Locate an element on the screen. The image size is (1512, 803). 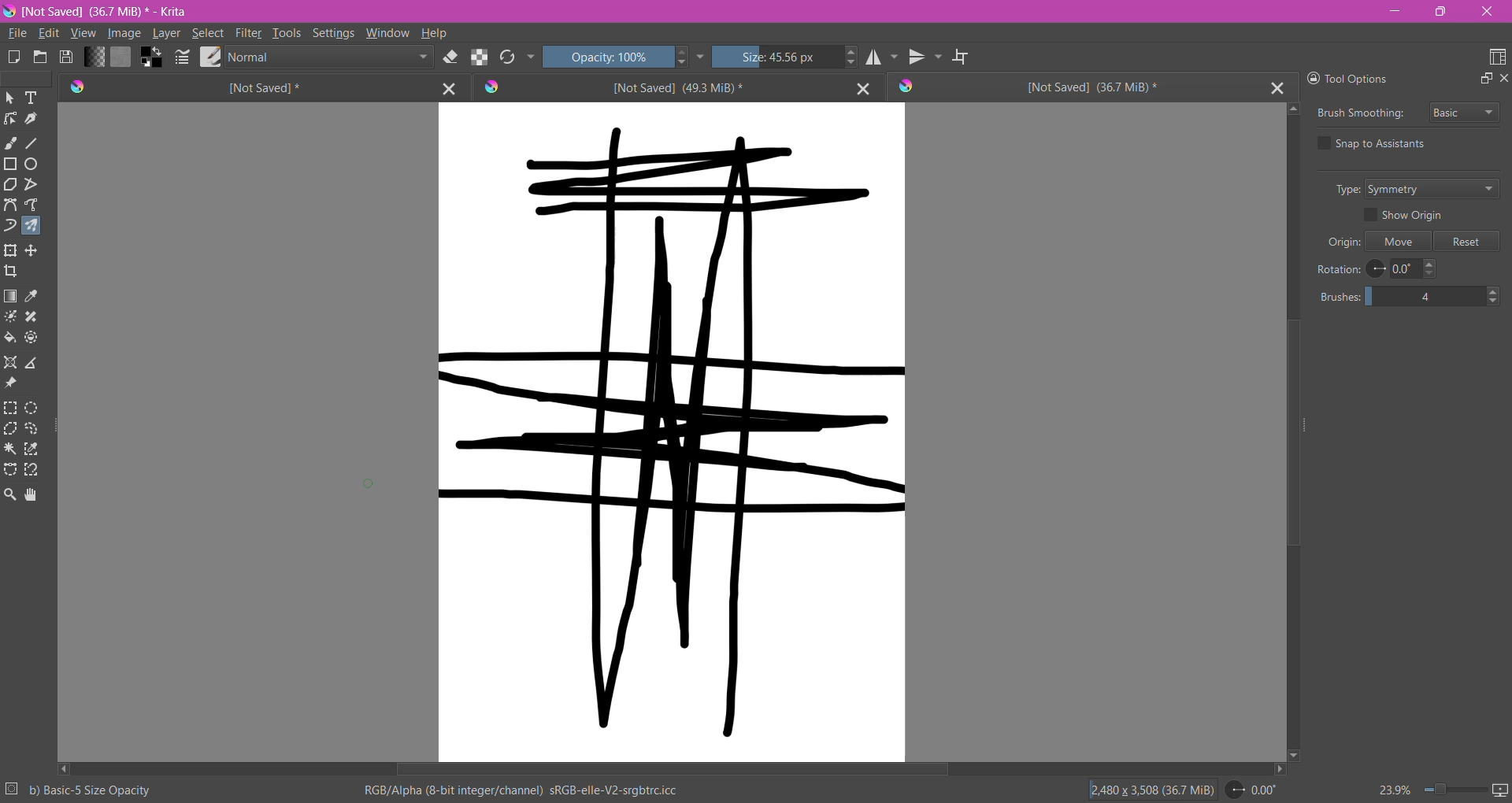
Fill a contagious area of color with a color, or a fill selection is located at coordinates (11, 338).